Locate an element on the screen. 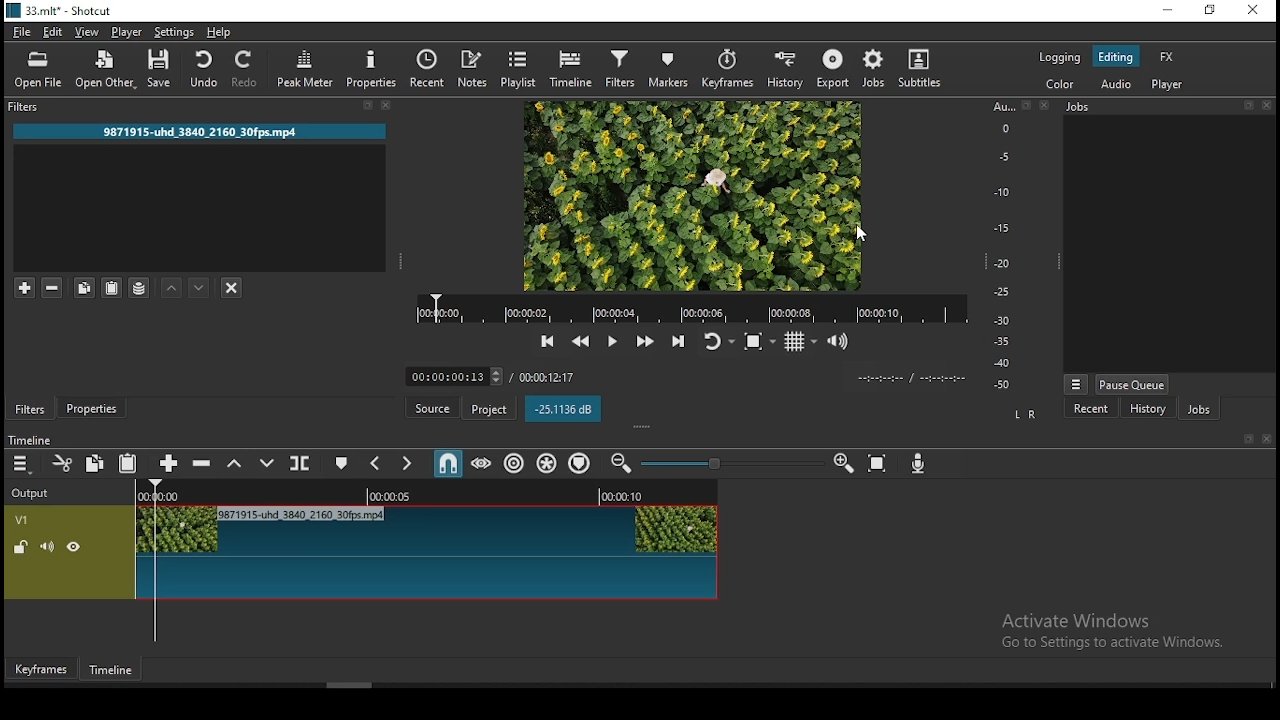 The image size is (1280, 720). bookmark is located at coordinates (364, 105).